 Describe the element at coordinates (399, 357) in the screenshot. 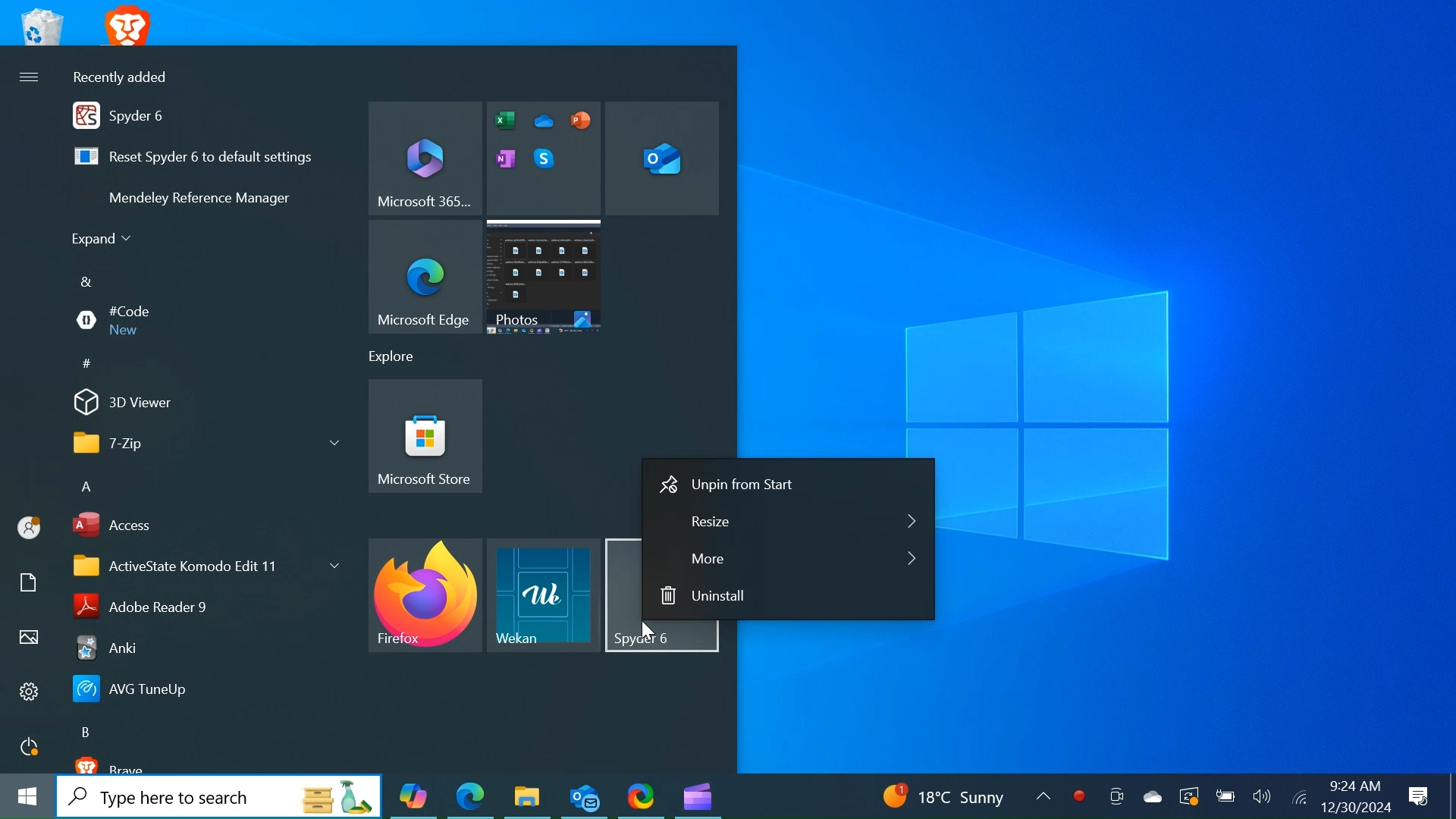

I see `Explore` at that location.